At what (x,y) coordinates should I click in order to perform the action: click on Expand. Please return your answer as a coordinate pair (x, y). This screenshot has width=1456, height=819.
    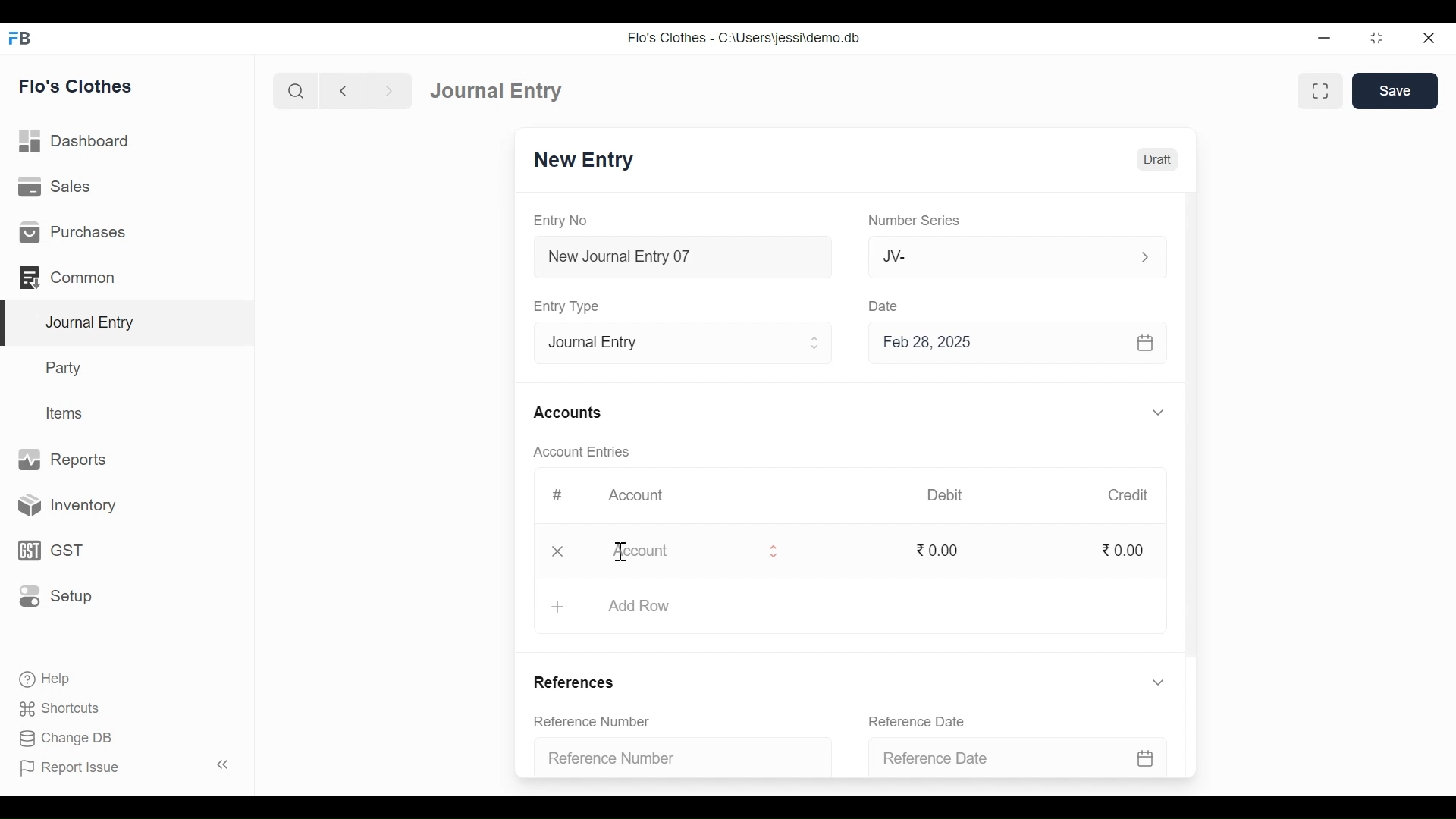
    Looking at the image, I should click on (1159, 682).